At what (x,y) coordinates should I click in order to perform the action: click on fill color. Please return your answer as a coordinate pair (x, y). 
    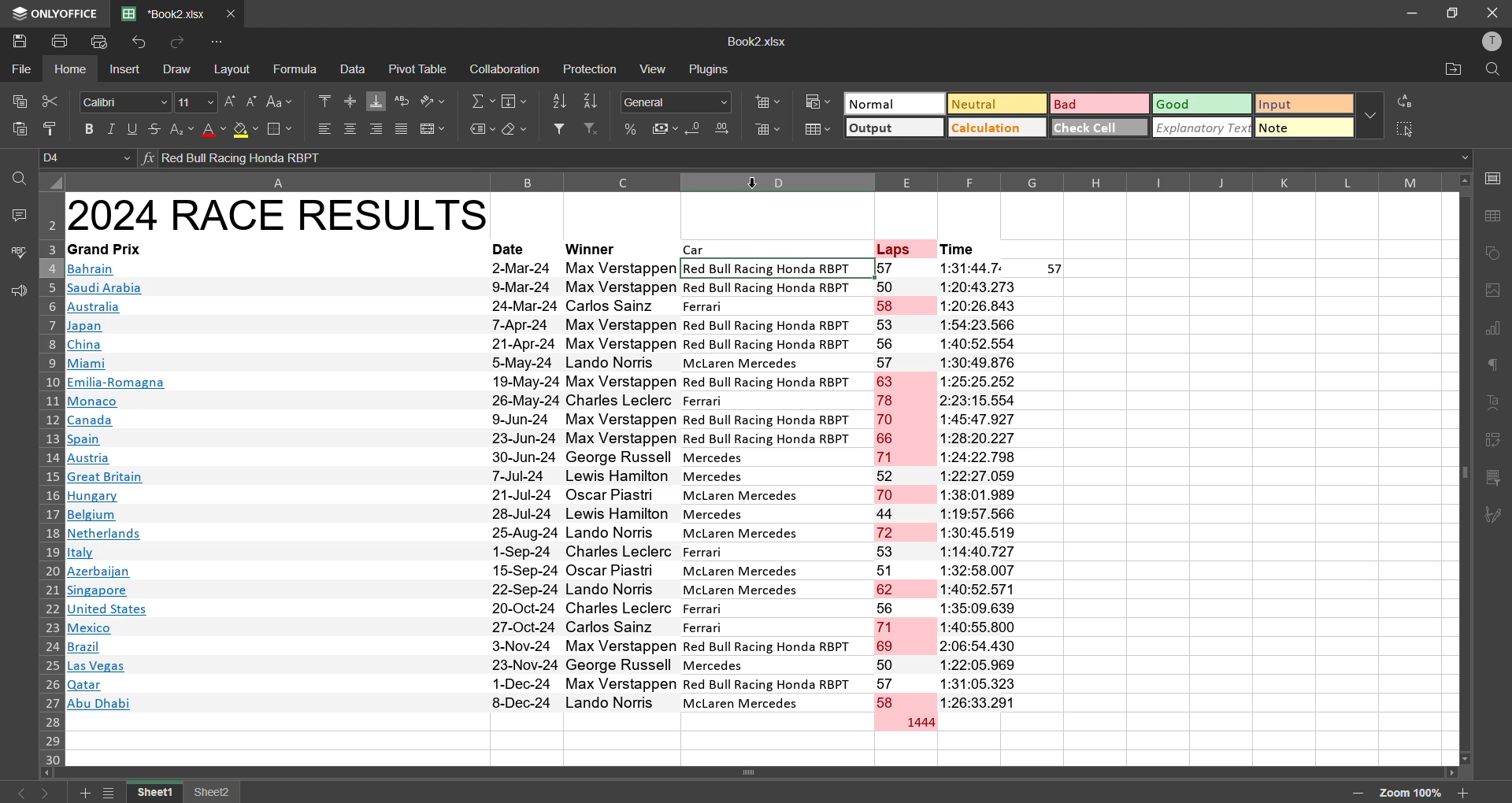
    Looking at the image, I should click on (246, 131).